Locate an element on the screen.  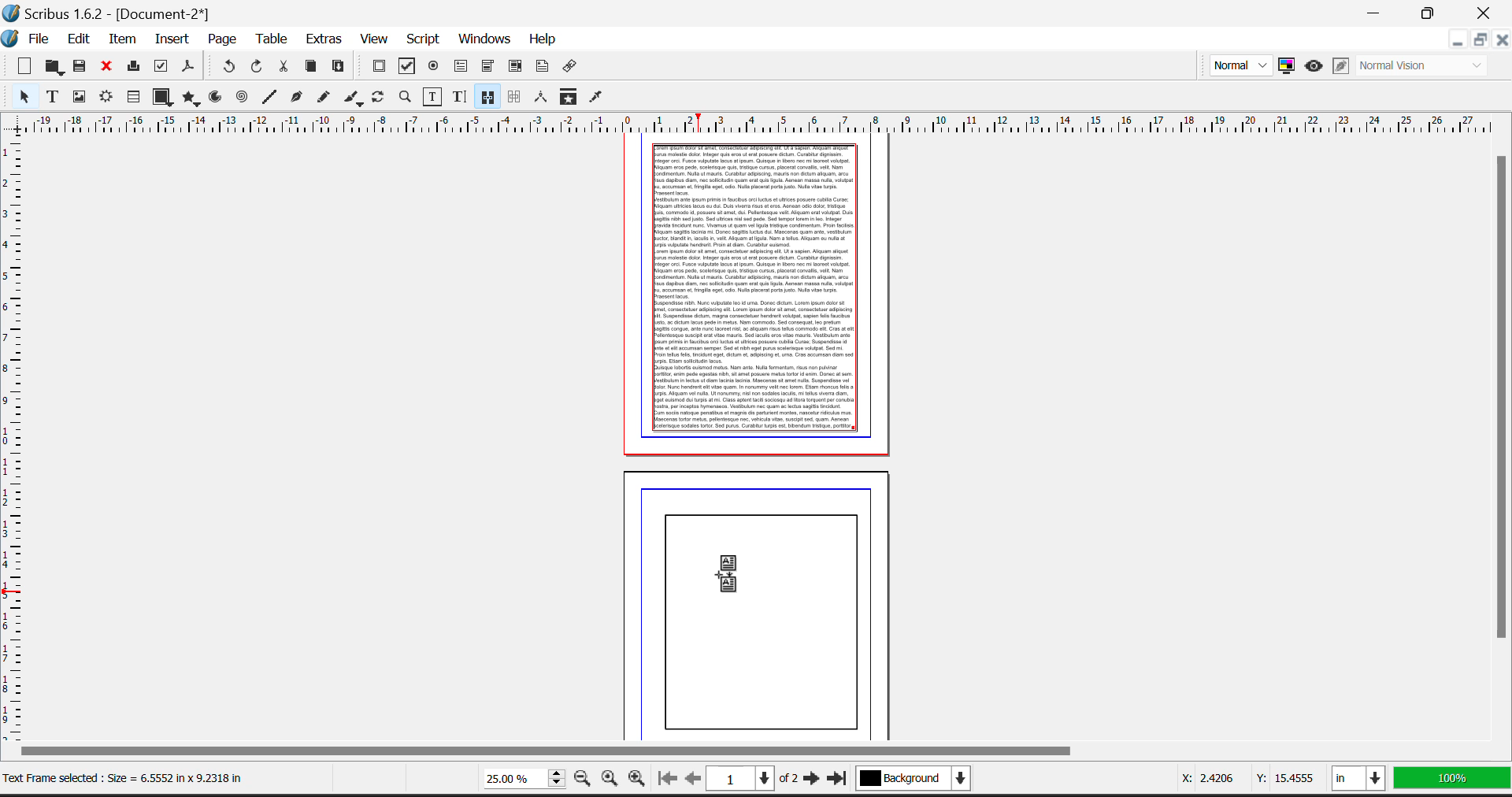
Select is located at coordinates (20, 97).